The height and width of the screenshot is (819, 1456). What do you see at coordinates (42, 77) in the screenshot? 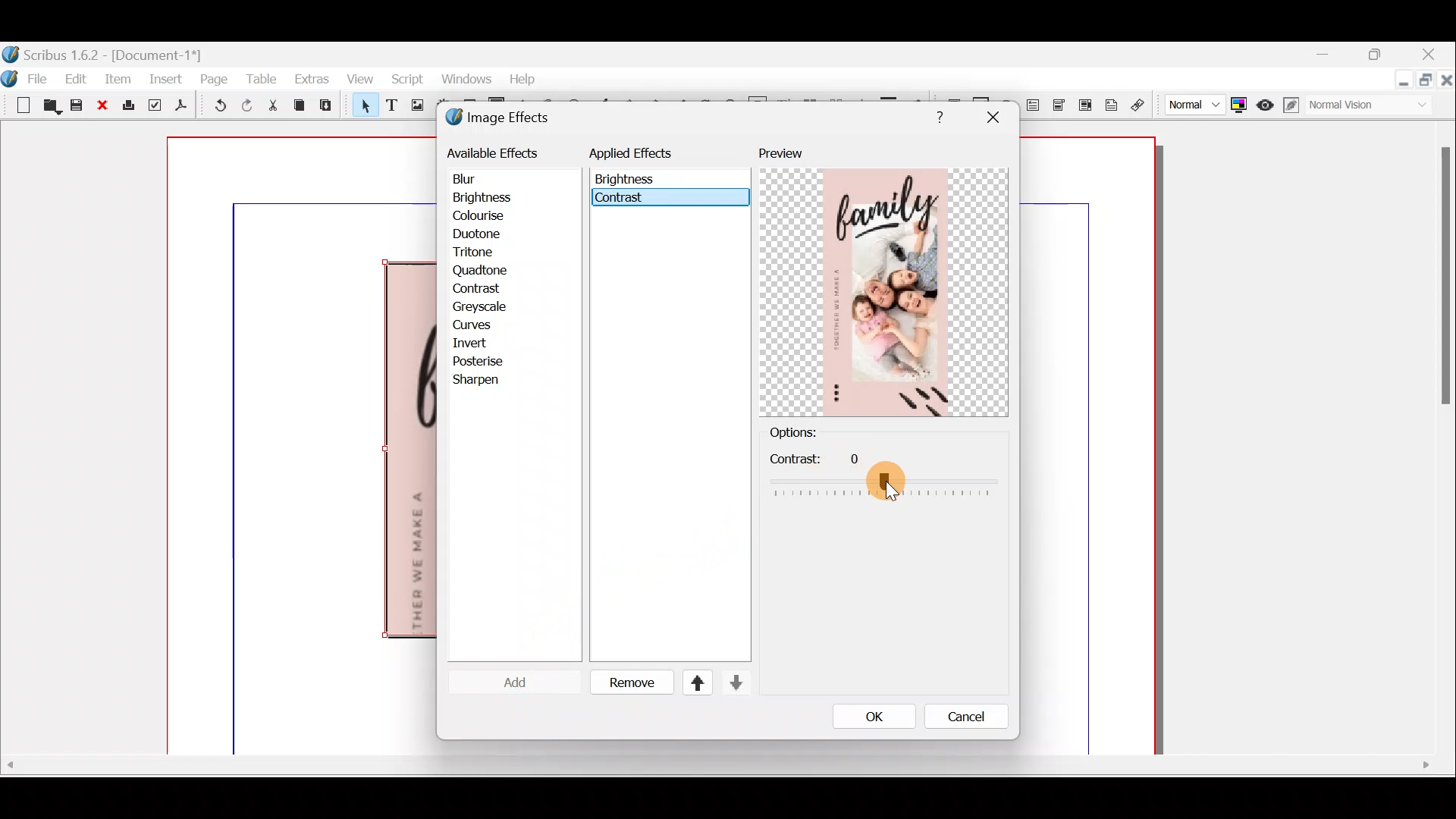
I see `File` at bounding box center [42, 77].